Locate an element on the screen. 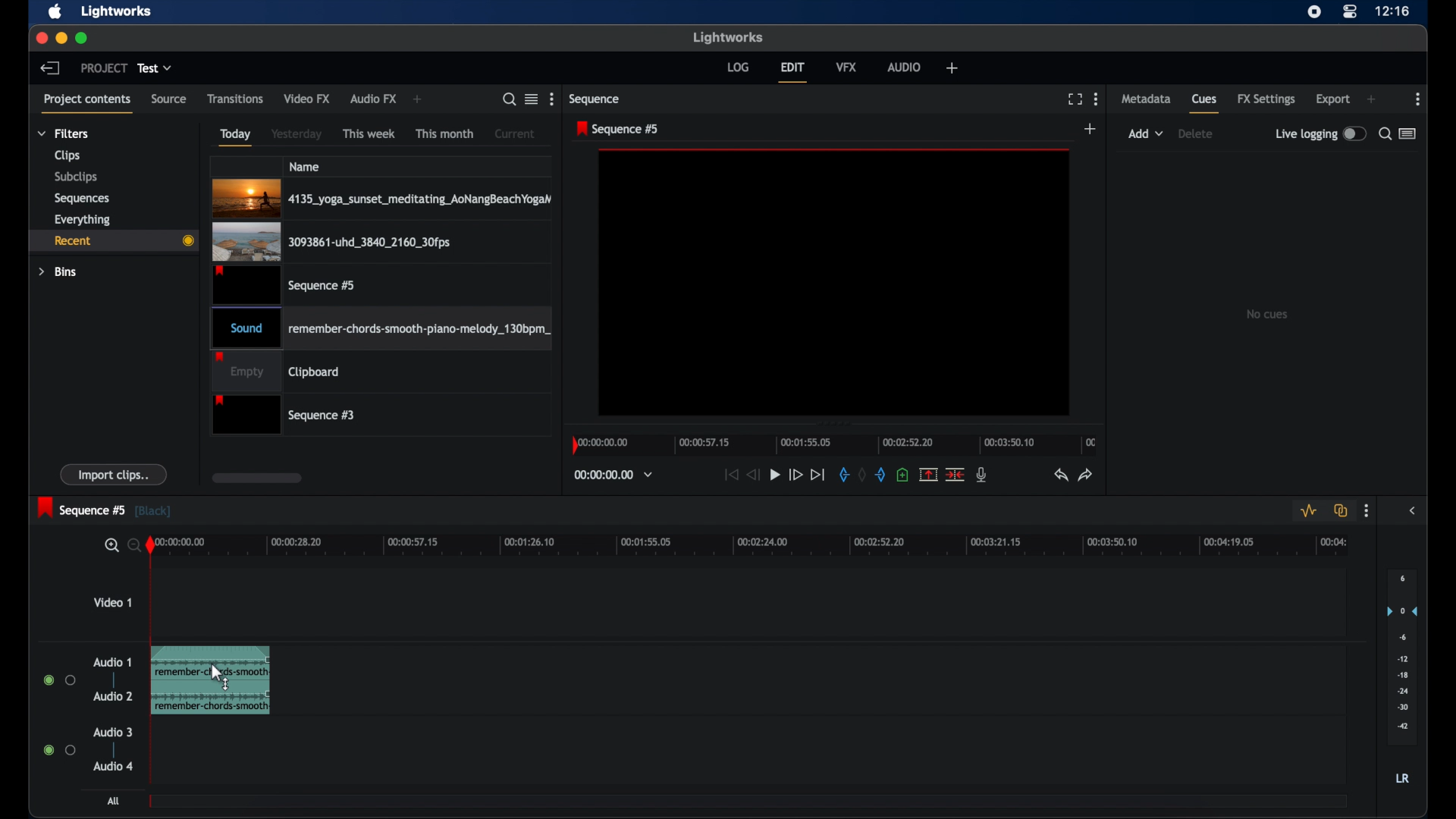 Image resolution: width=1456 pixels, height=819 pixels. timeline is located at coordinates (837, 444).